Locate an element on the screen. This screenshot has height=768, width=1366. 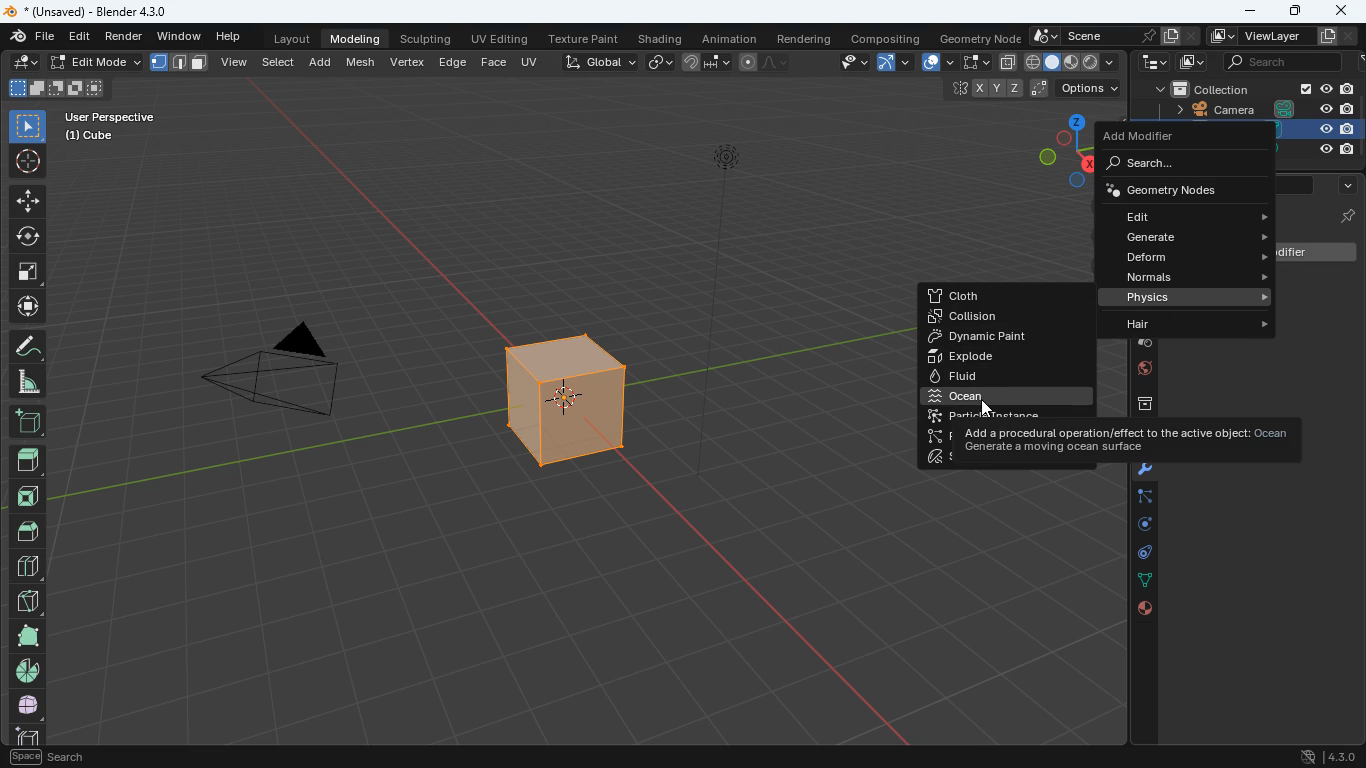
more is located at coordinates (1346, 182).